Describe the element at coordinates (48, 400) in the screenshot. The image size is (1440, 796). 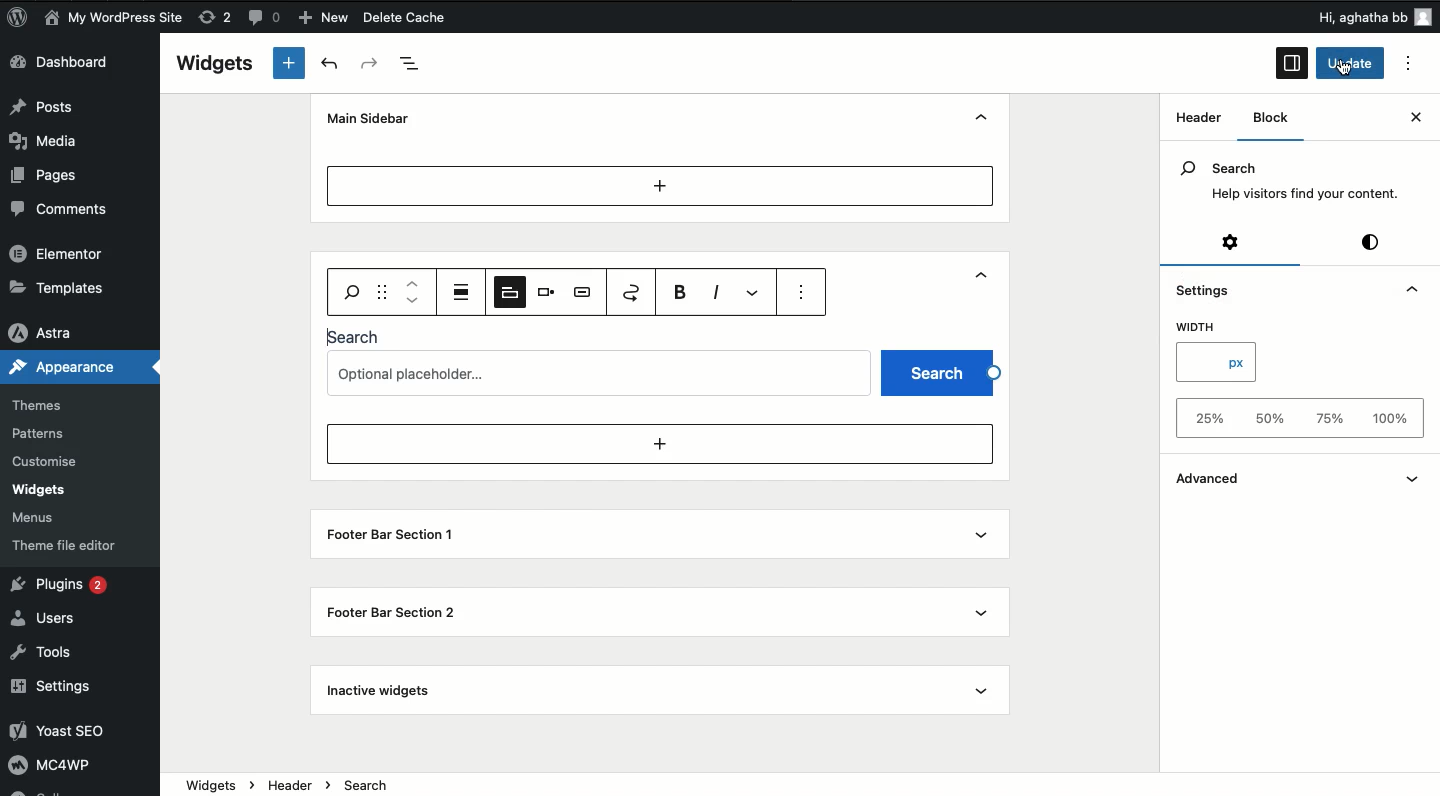
I see `Themes` at that location.